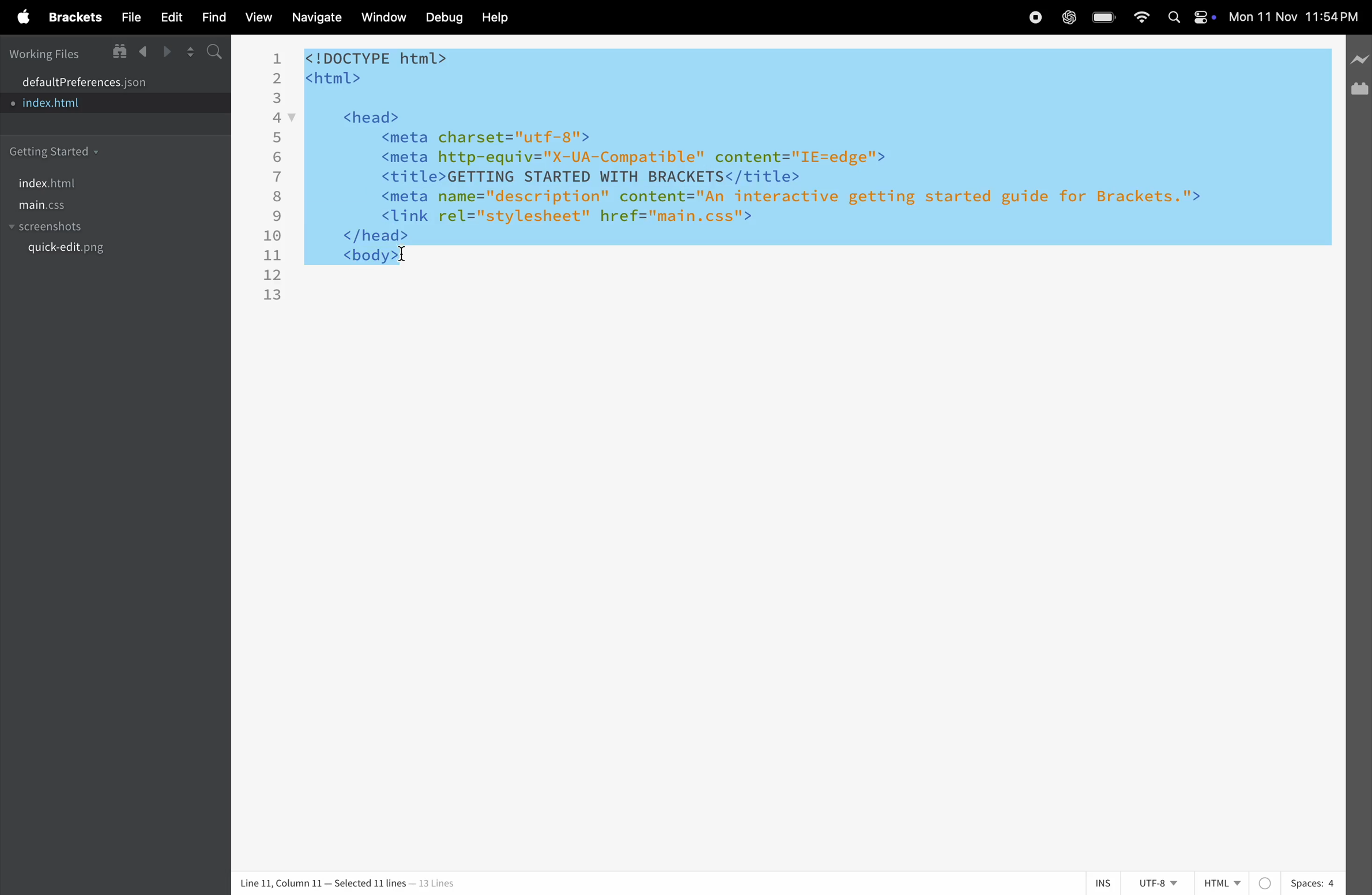  What do you see at coordinates (1036, 17) in the screenshot?
I see `record` at bounding box center [1036, 17].